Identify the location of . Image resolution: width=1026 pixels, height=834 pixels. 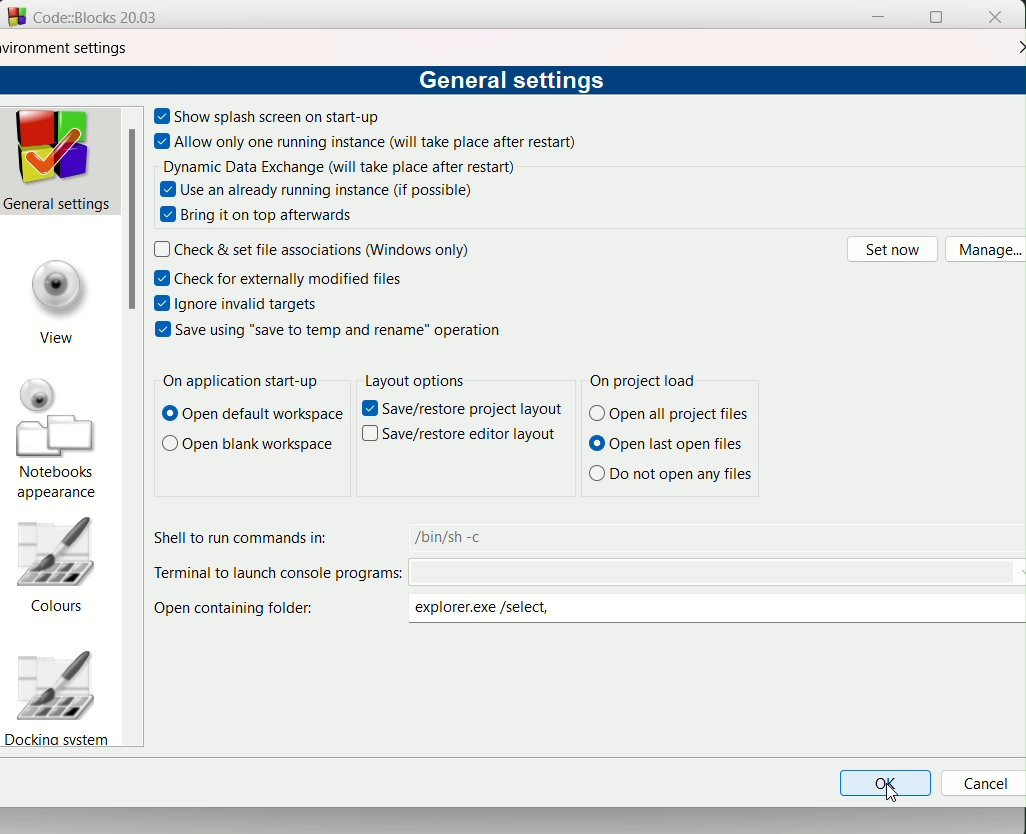
(668, 475).